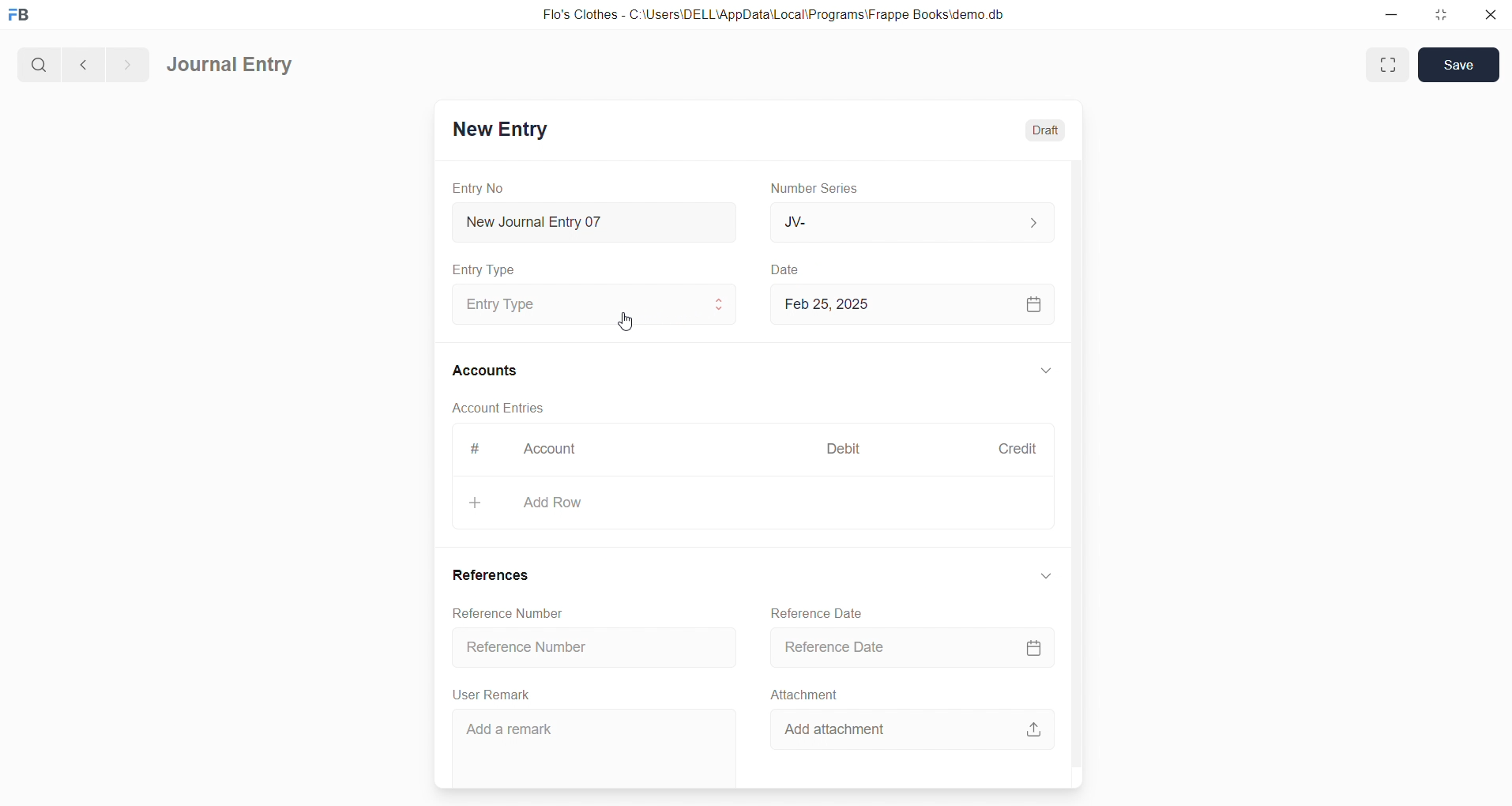 The height and width of the screenshot is (806, 1512). What do you see at coordinates (506, 613) in the screenshot?
I see `Reference Number` at bounding box center [506, 613].